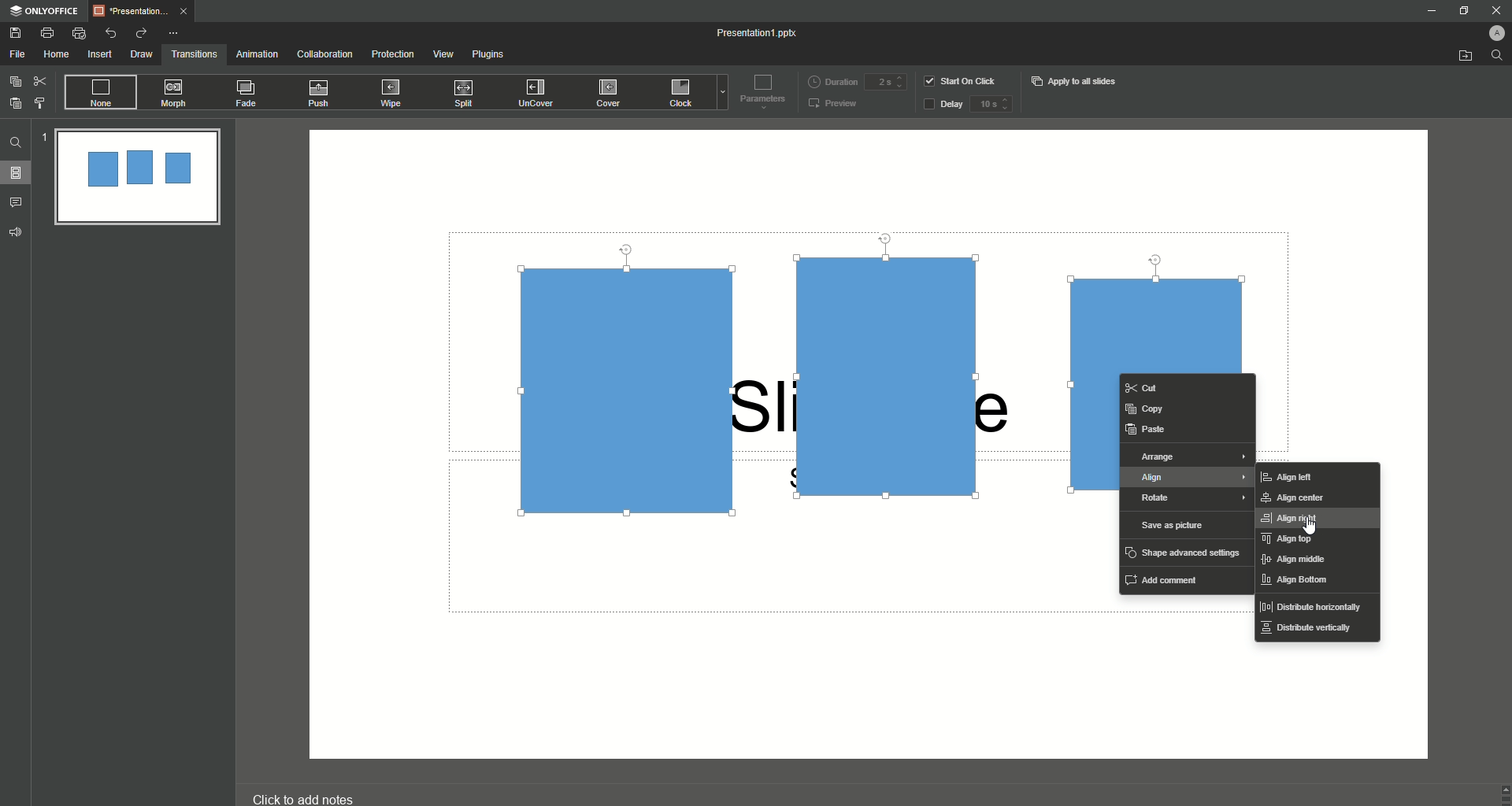  I want to click on Presentation 1, so click(759, 33).